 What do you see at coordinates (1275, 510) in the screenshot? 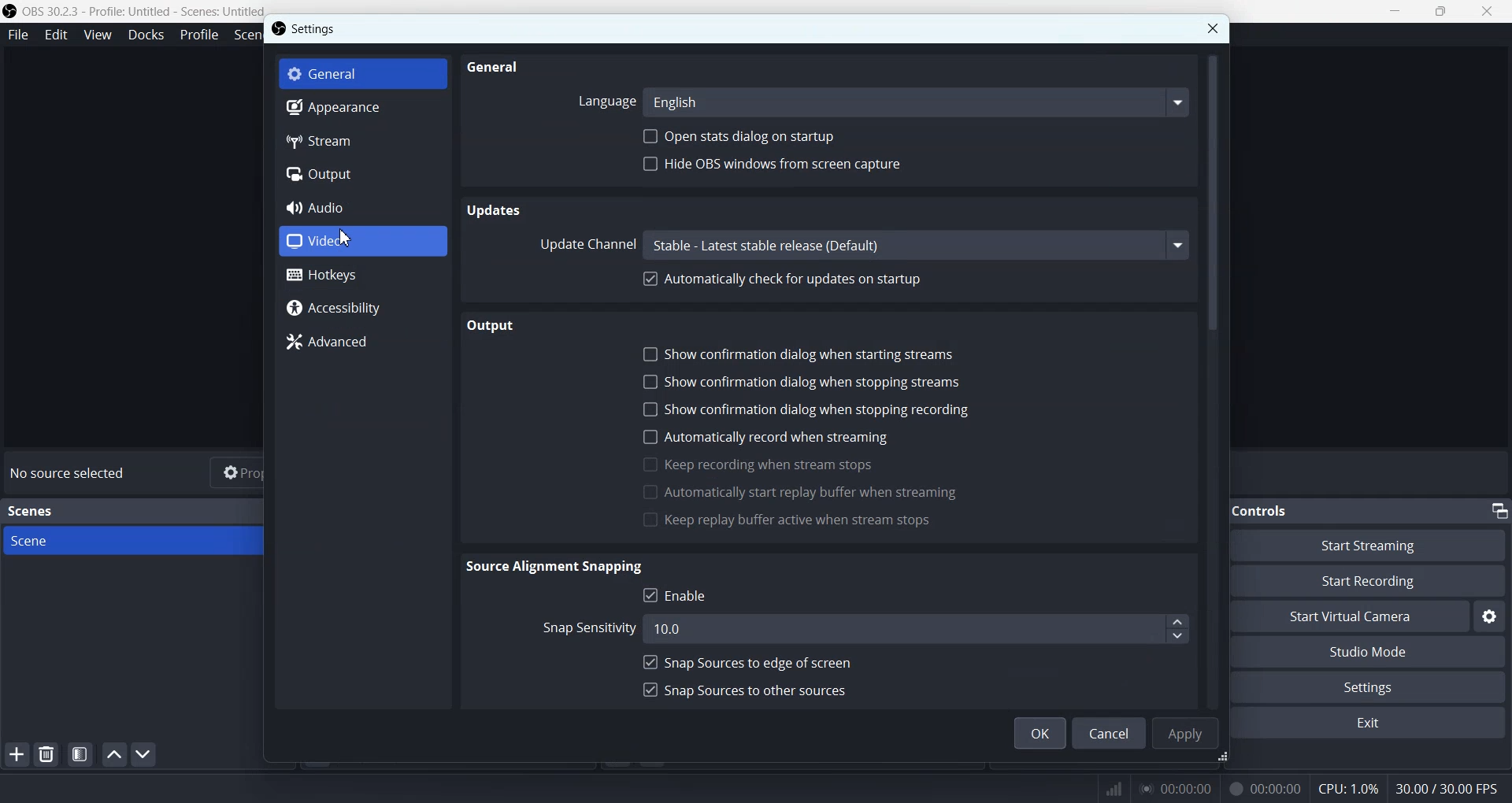
I see `Text` at bounding box center [1275, 510].